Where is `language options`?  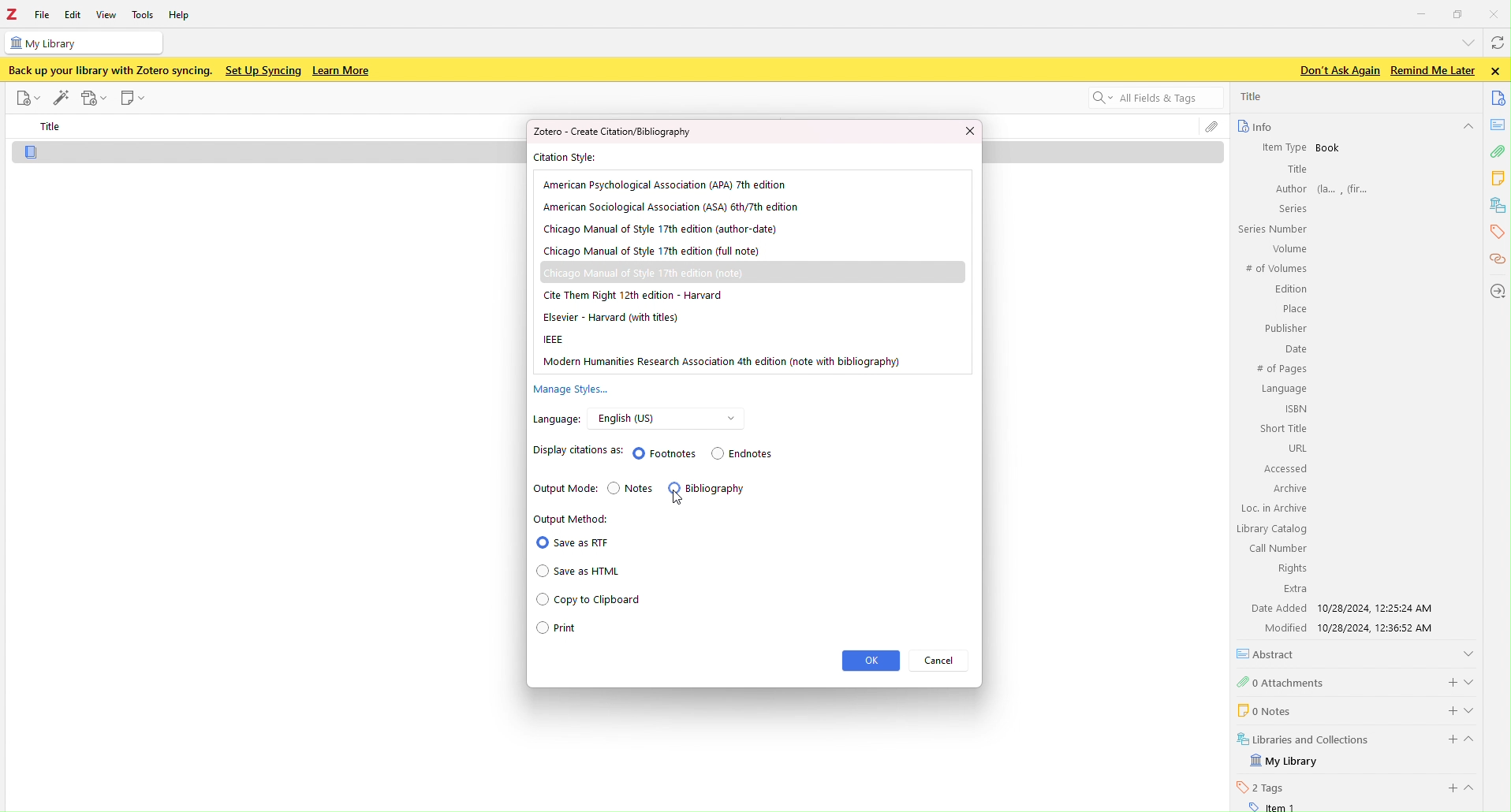
language options is located at coordinates (677, 416).